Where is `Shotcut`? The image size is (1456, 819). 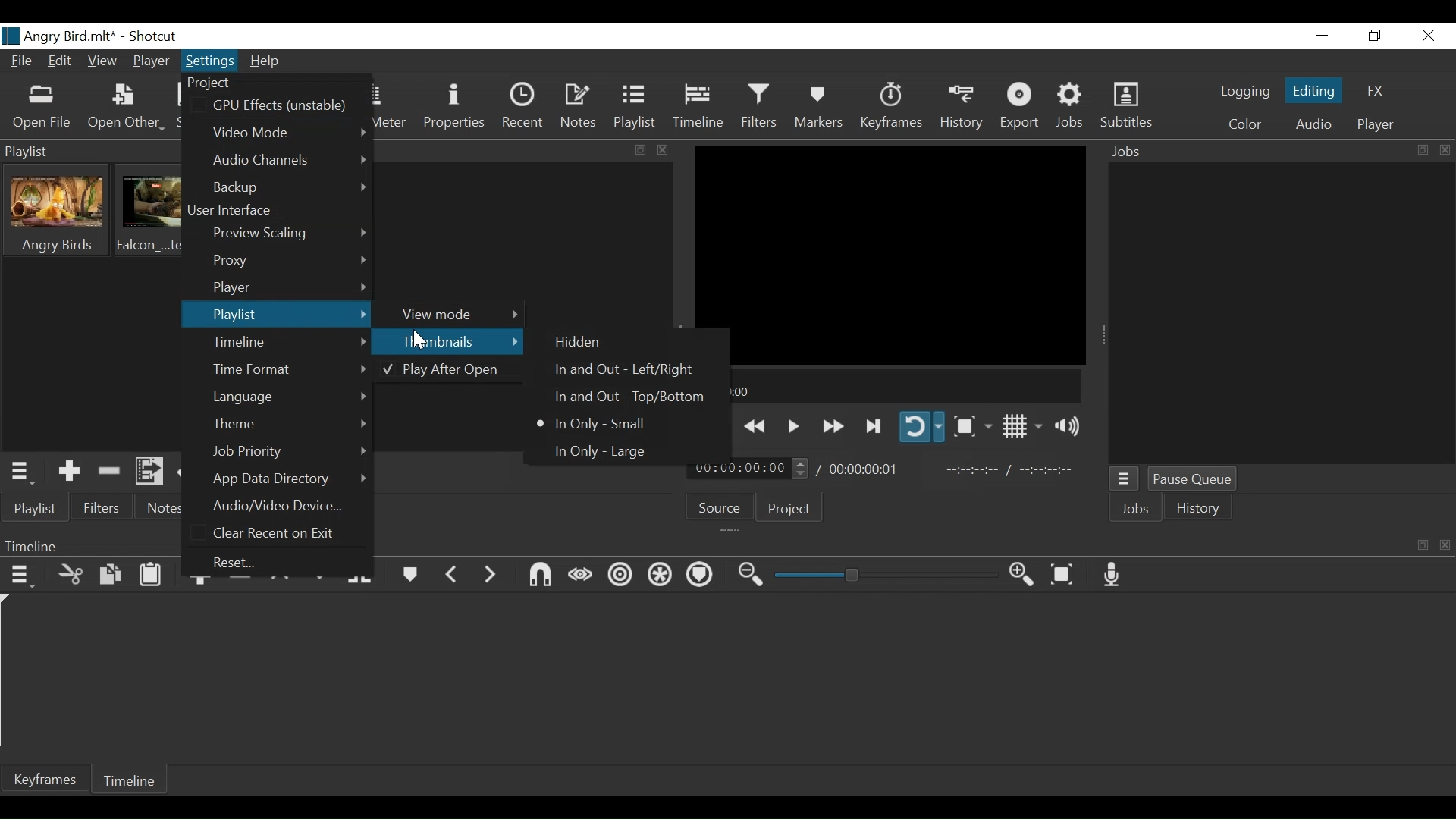 Shotcut is located at coordinates (154, 36).